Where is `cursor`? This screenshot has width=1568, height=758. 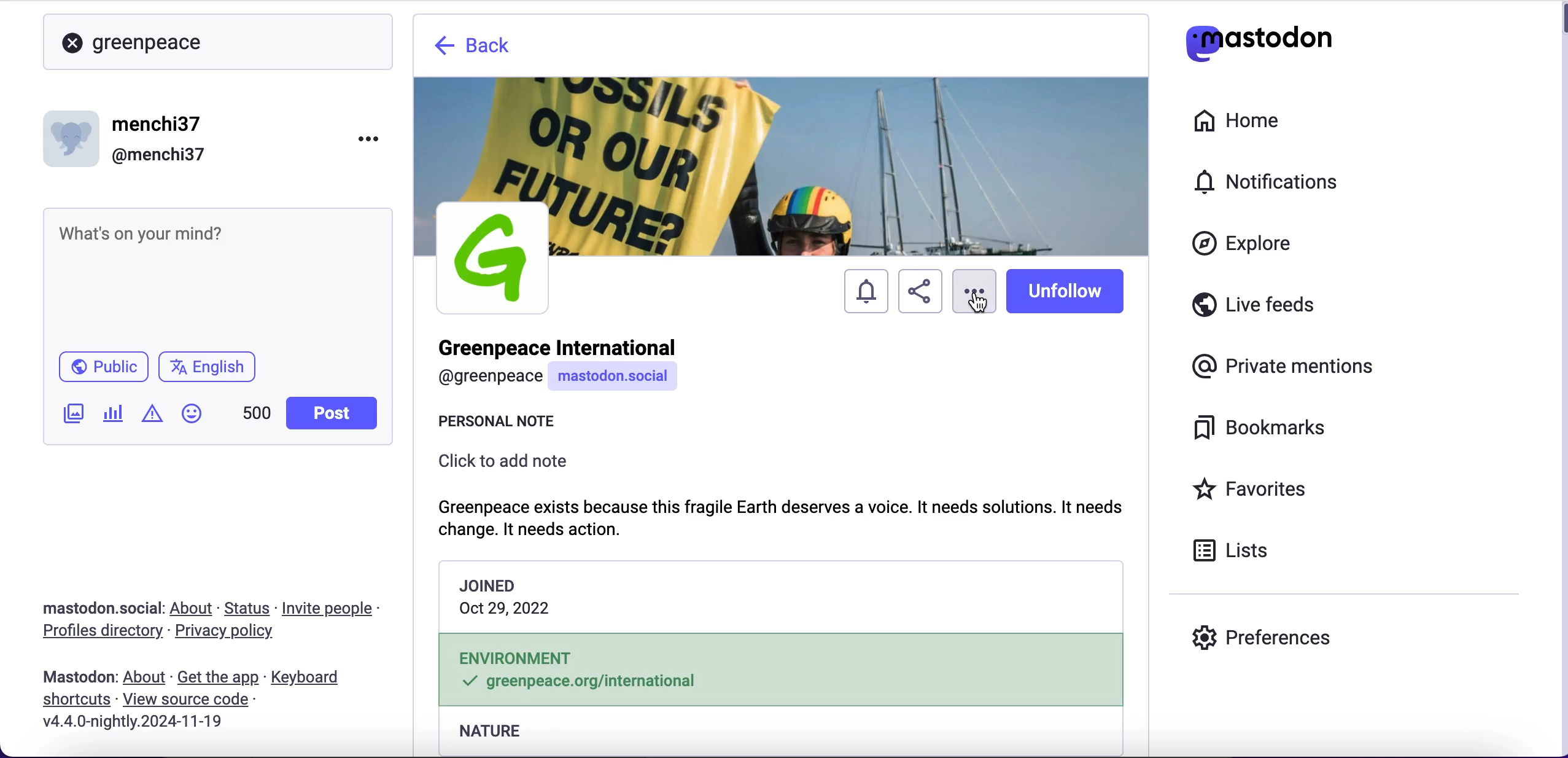 cursor is located at coordinates (975, 306).